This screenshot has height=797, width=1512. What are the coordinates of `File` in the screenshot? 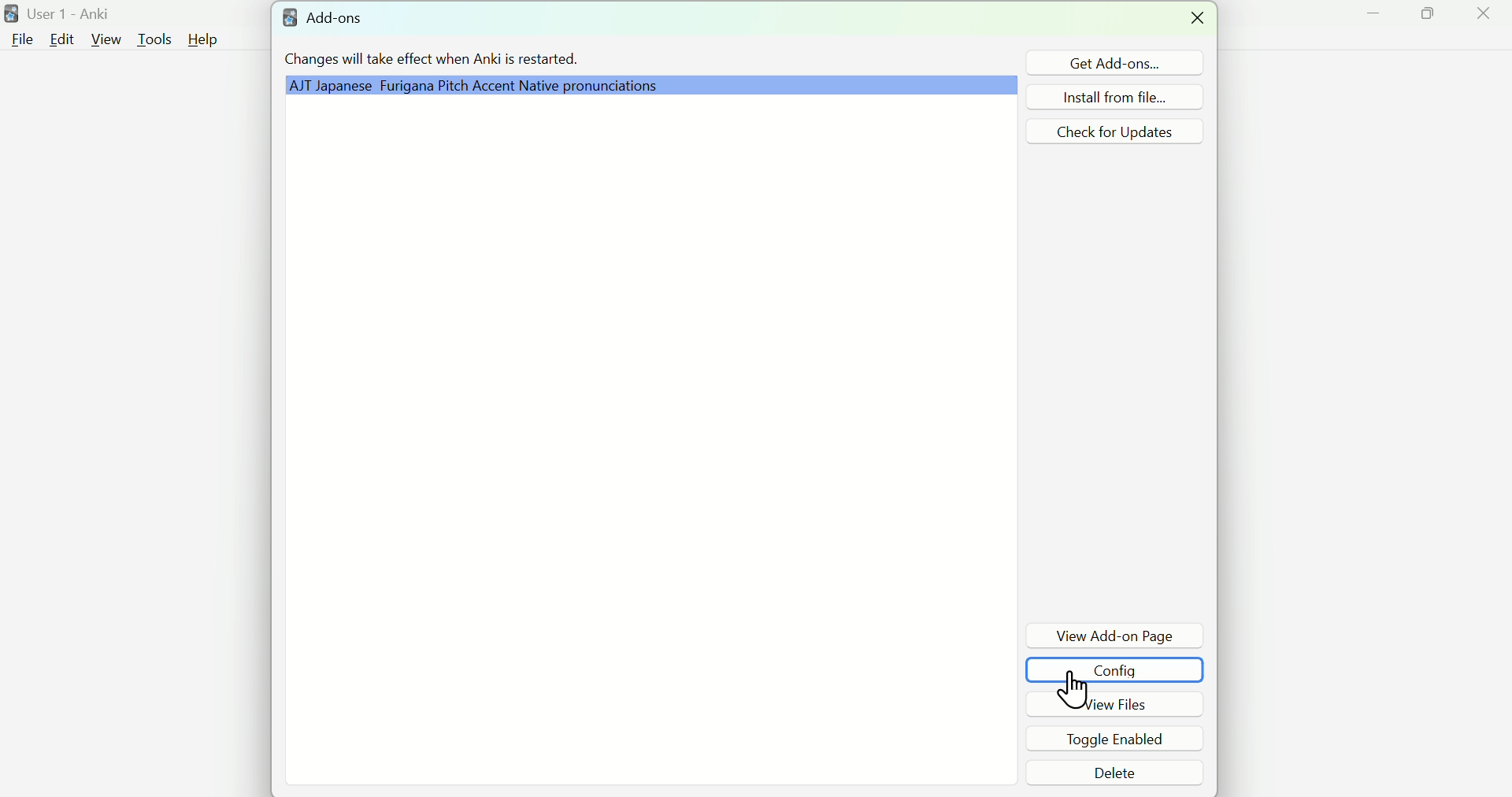 It's located at (20, 41).